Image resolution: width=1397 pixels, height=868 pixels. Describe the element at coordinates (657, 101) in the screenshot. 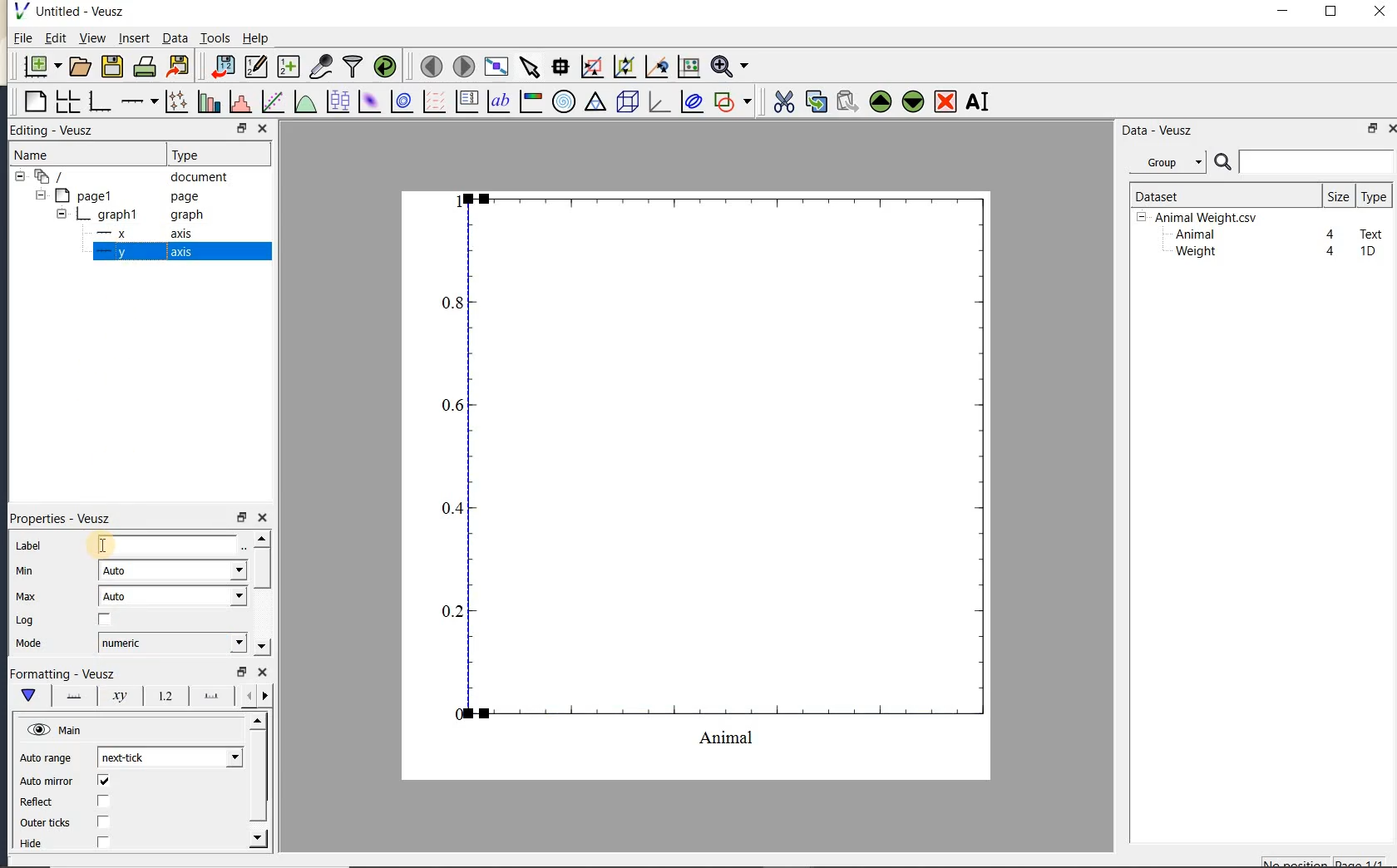

I see `3d graph` at that location.